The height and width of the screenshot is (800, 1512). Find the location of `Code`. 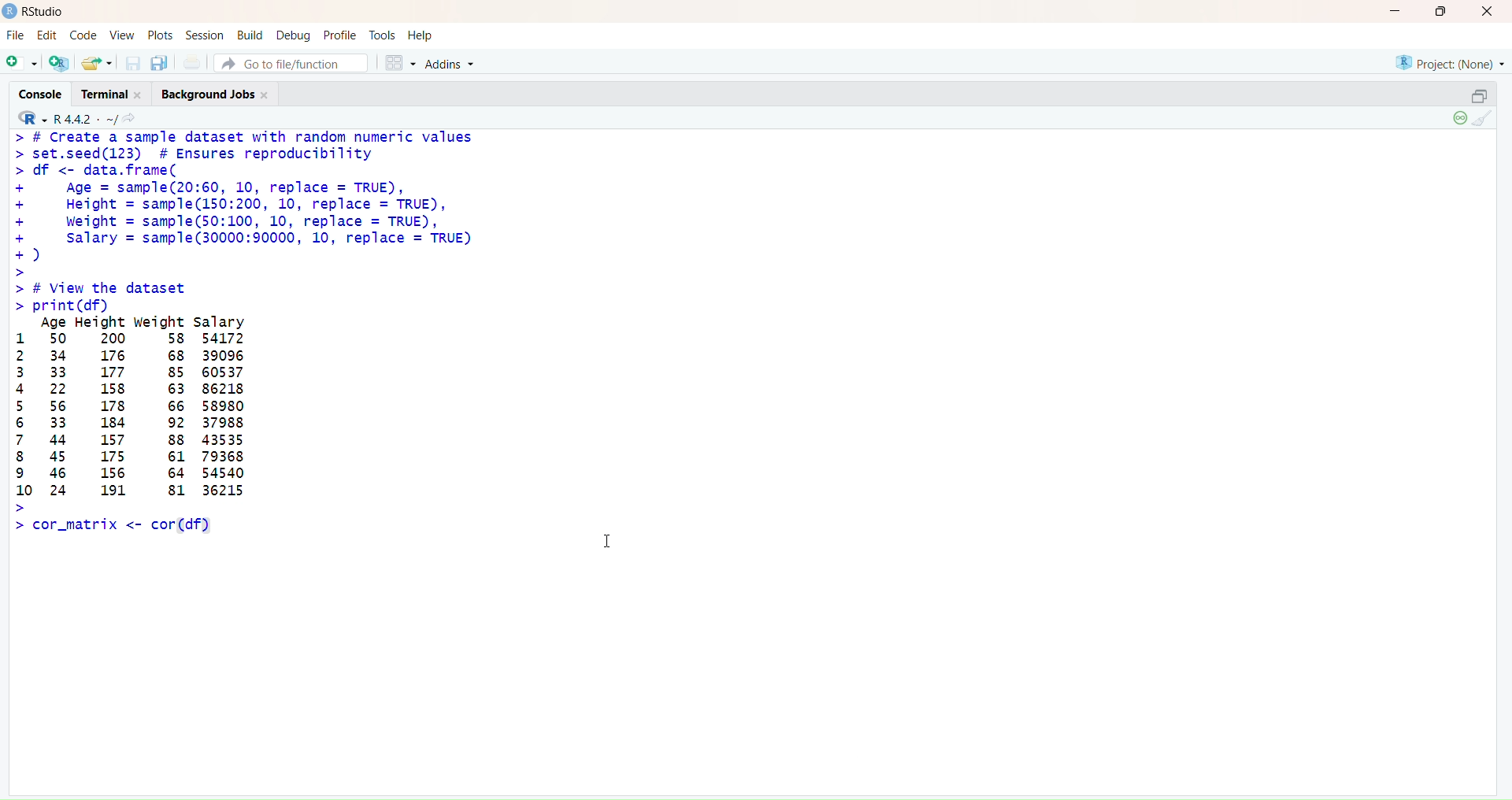

Code is located at coordinates (82, 36).